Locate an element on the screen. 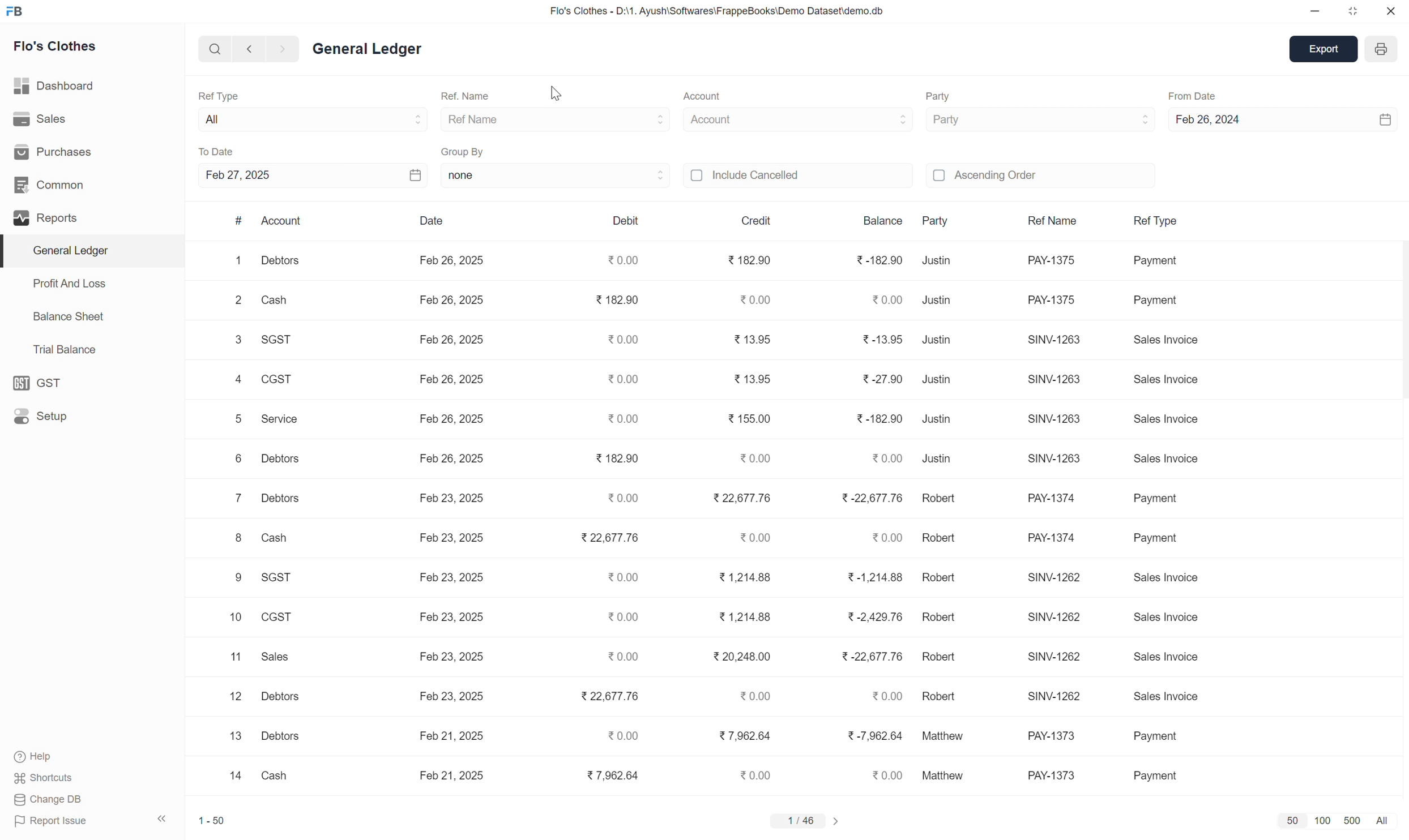  6 is located at coordinates (238, 458).